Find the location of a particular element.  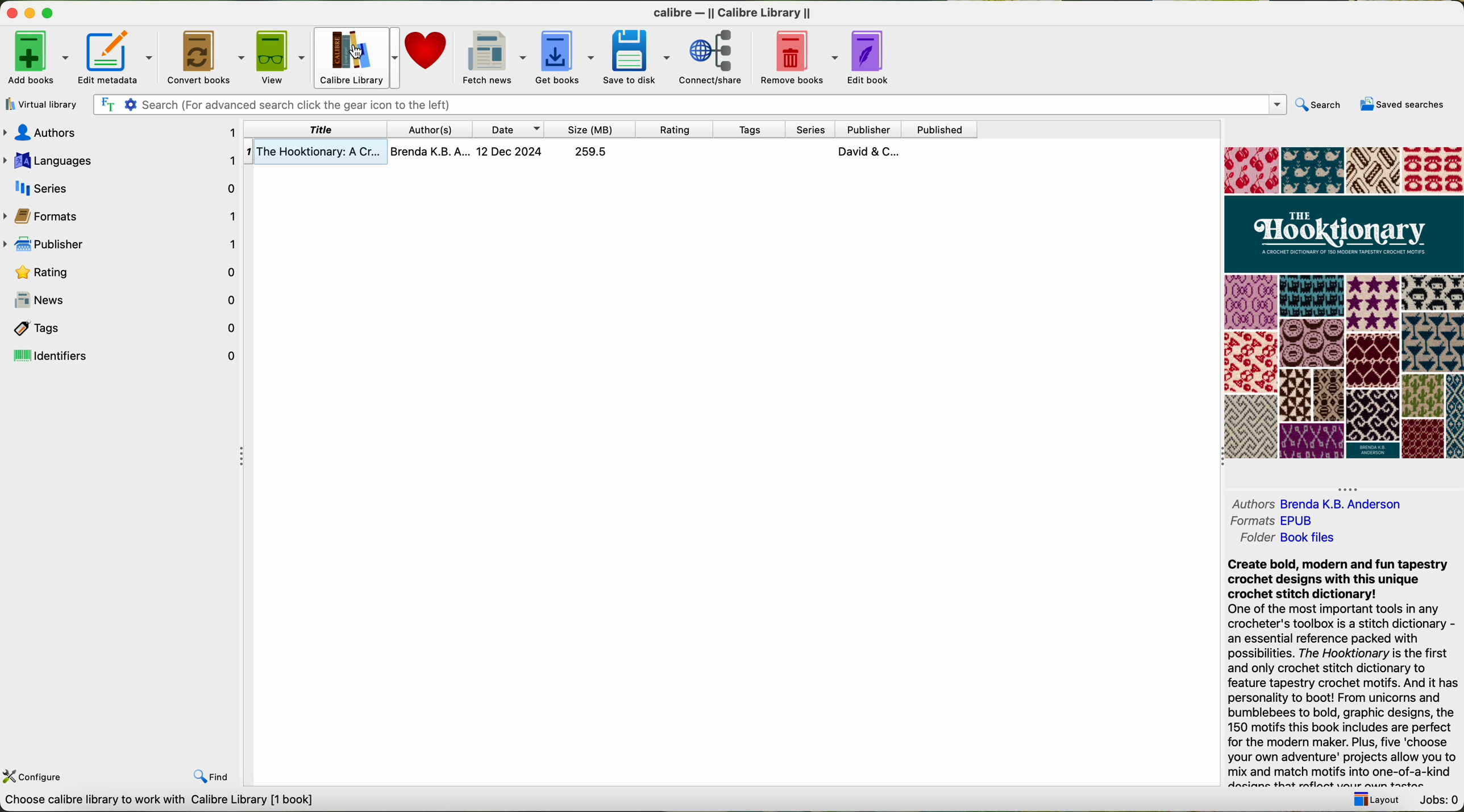

connect/share is located at coordinates (712, 59).